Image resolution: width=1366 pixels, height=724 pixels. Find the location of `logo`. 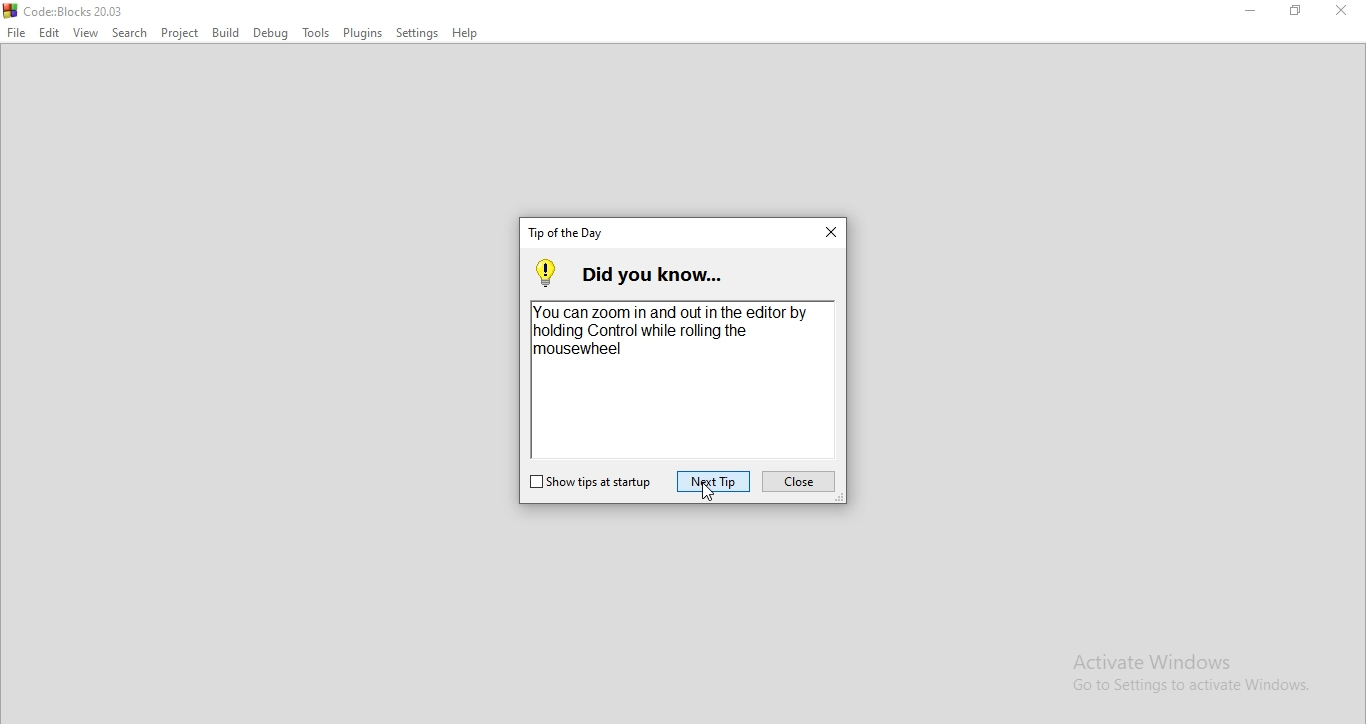

logo is located at coordinates (64, 9).